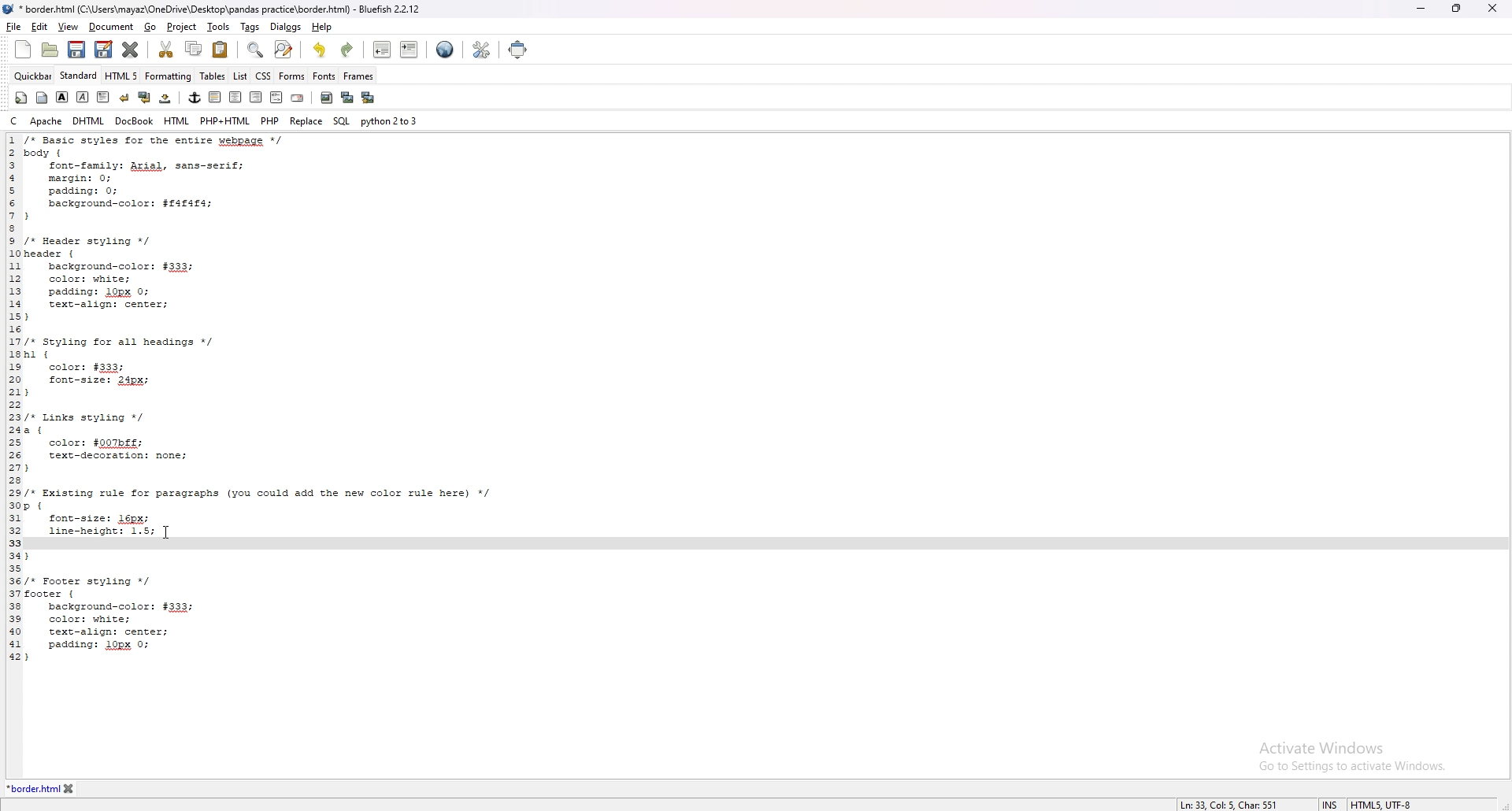 This screenshot has width=1512, height=811. Describe the element at coordinates (235, 97) in the screenshot. I see `center` at that location.